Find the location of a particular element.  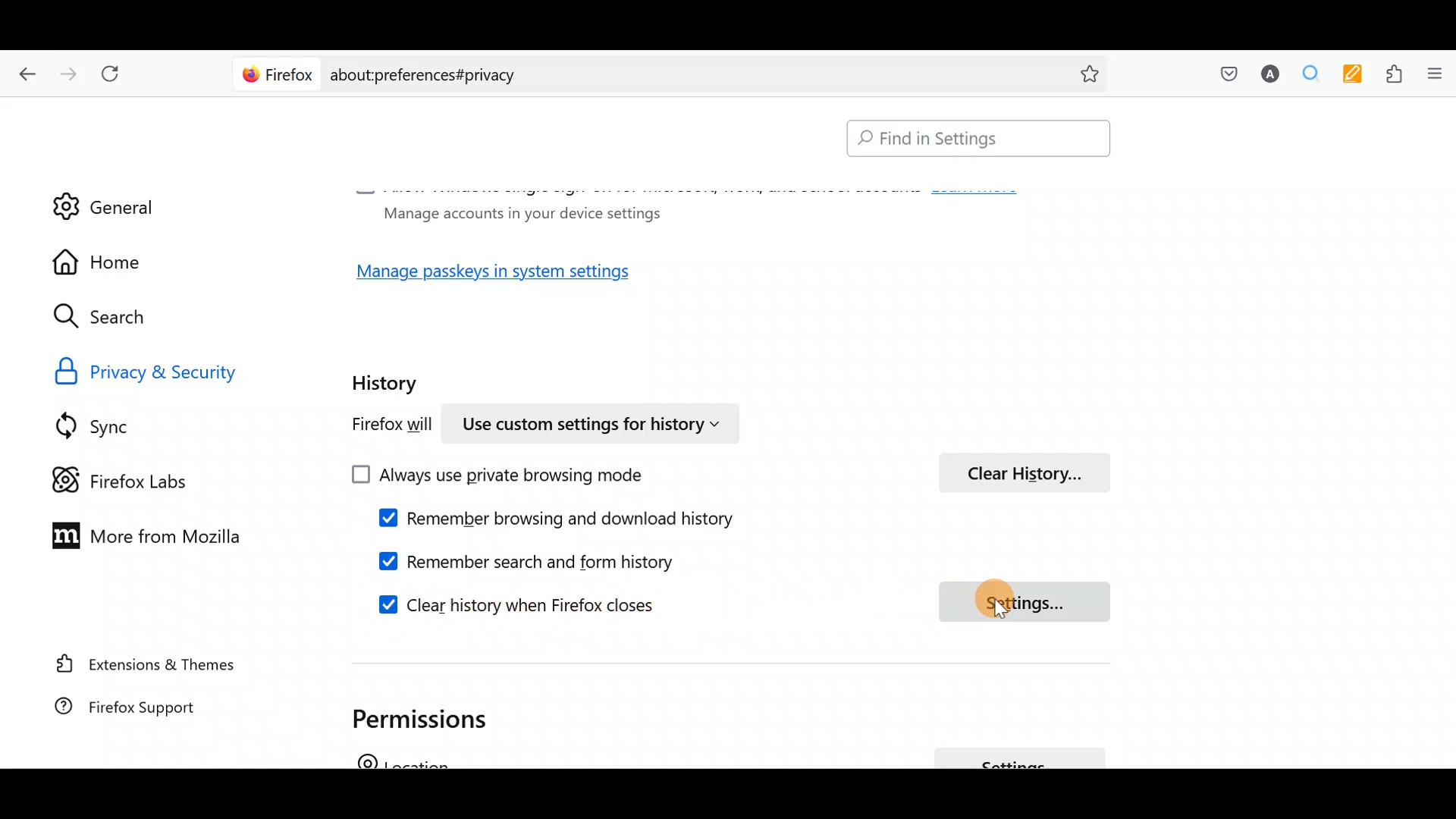

Privacy & security is located at coordinates (184, 370).